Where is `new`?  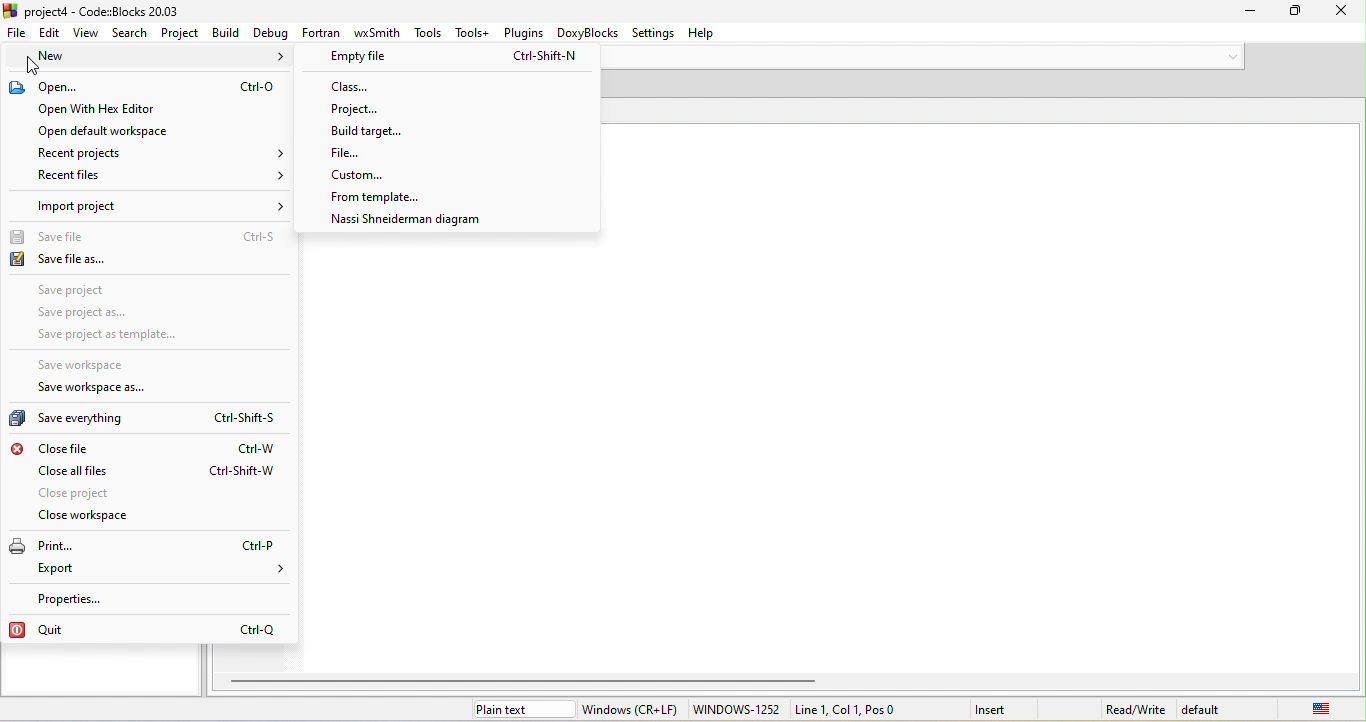 new is located at coordinates (154, 60).